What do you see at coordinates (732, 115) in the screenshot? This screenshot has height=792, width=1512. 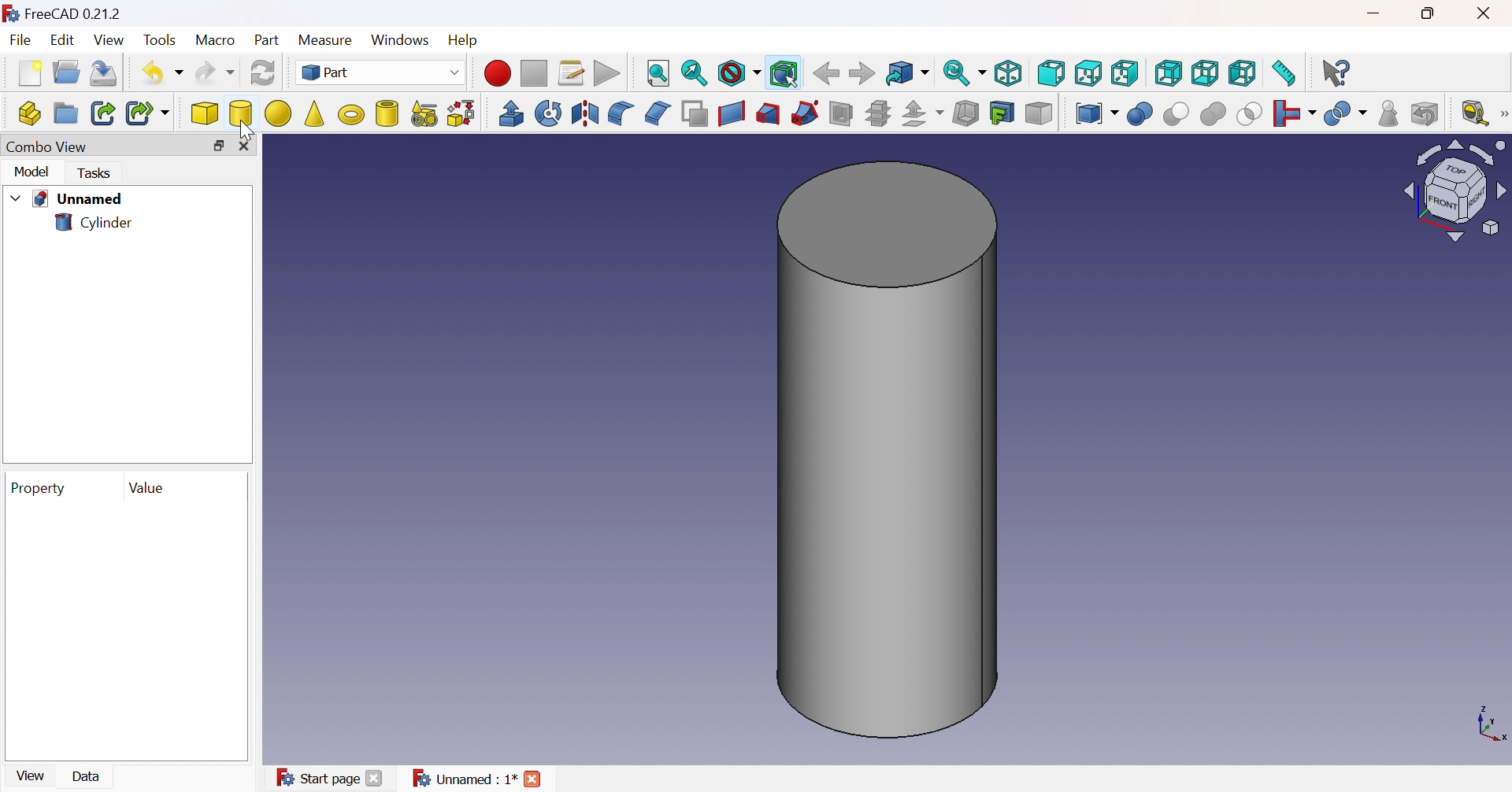 I see `Create ruled surface` at bounding box center [732, 115].